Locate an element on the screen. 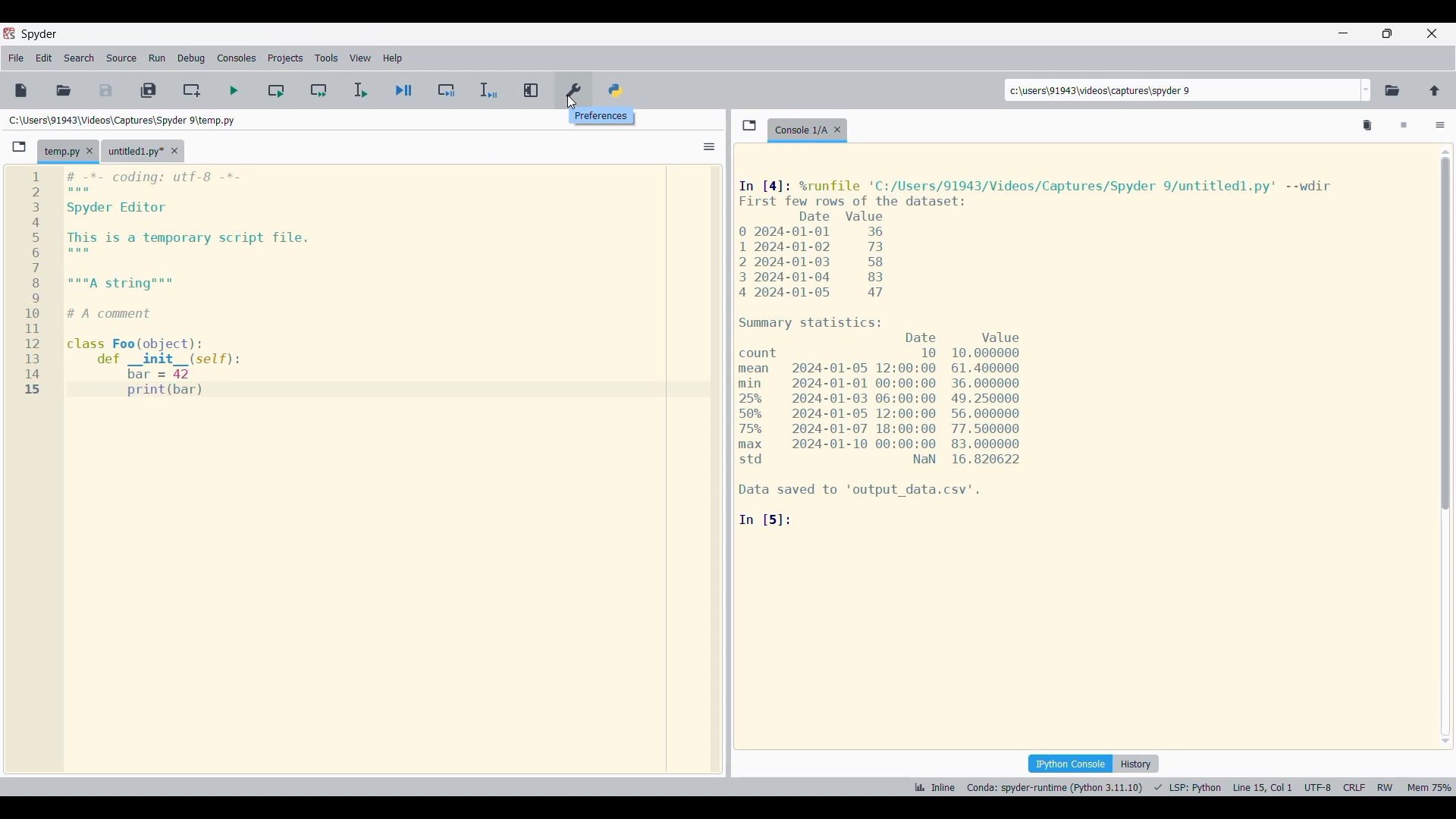 This screenshot has height=819, width=1456. Search menu is located at coordinates (78, 58).